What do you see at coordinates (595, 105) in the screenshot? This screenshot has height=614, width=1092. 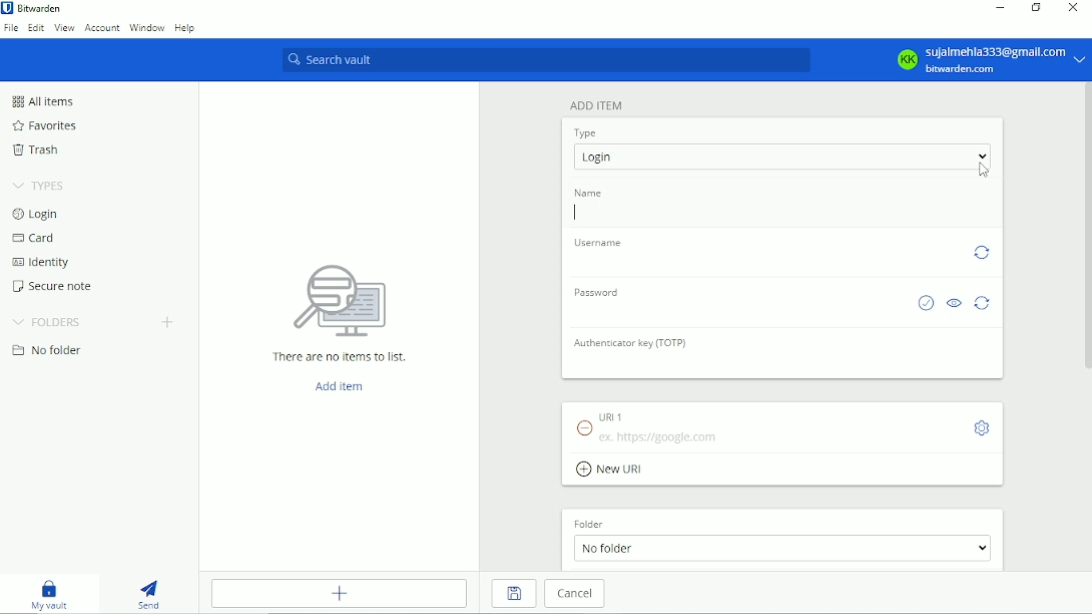 I see `Add item` at bounding box center [595, 105].